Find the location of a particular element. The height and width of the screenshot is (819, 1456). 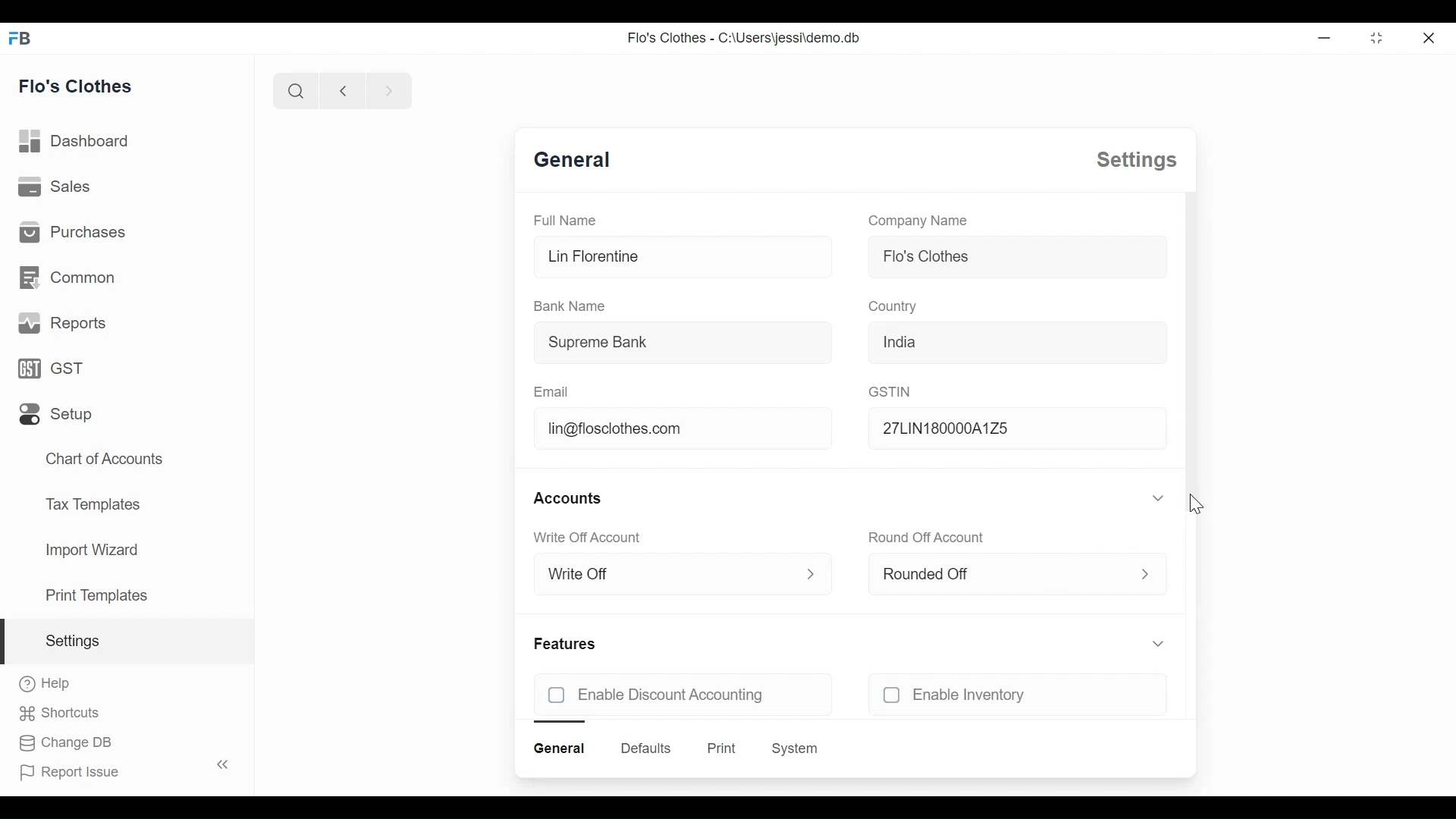

Vertical Scroll bar is located at coordinates (1197, 348).